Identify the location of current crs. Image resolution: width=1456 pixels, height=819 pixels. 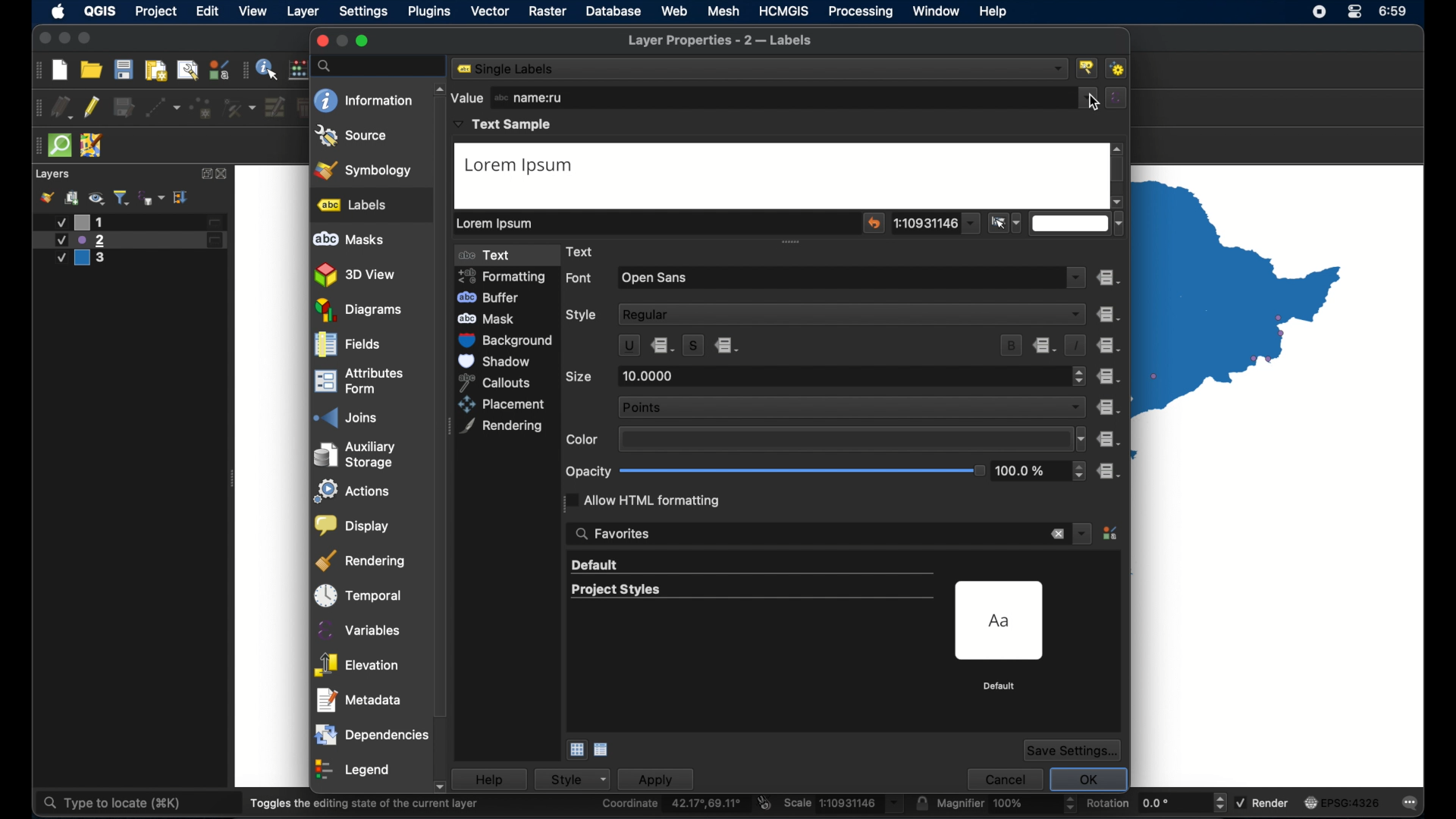
(1343, 802).